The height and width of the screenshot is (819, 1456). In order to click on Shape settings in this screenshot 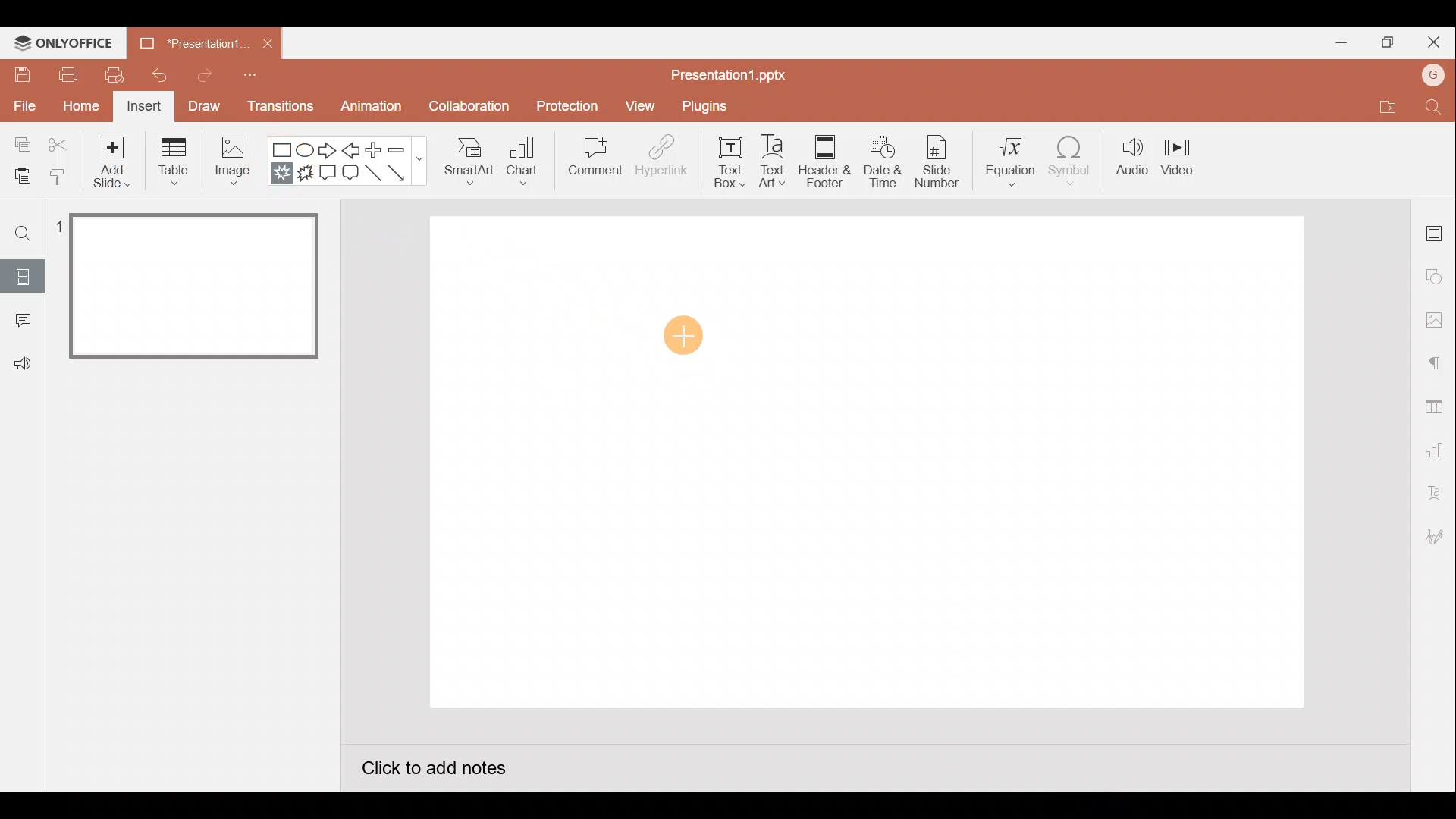, I will do `click(1437, 275)`.